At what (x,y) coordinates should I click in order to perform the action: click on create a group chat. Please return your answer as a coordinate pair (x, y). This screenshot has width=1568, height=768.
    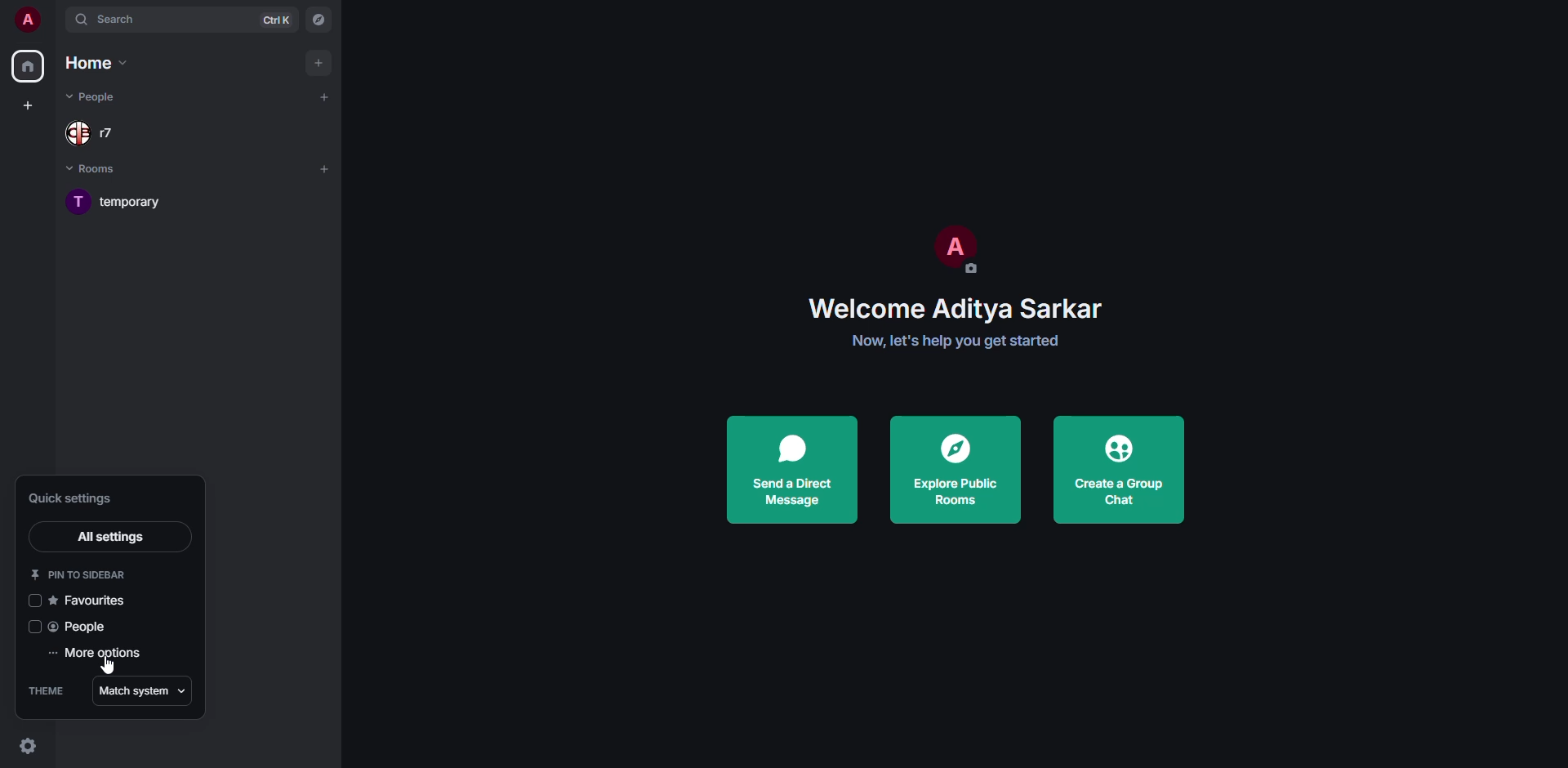
    Looking at the image, I should click on (1119, 471).